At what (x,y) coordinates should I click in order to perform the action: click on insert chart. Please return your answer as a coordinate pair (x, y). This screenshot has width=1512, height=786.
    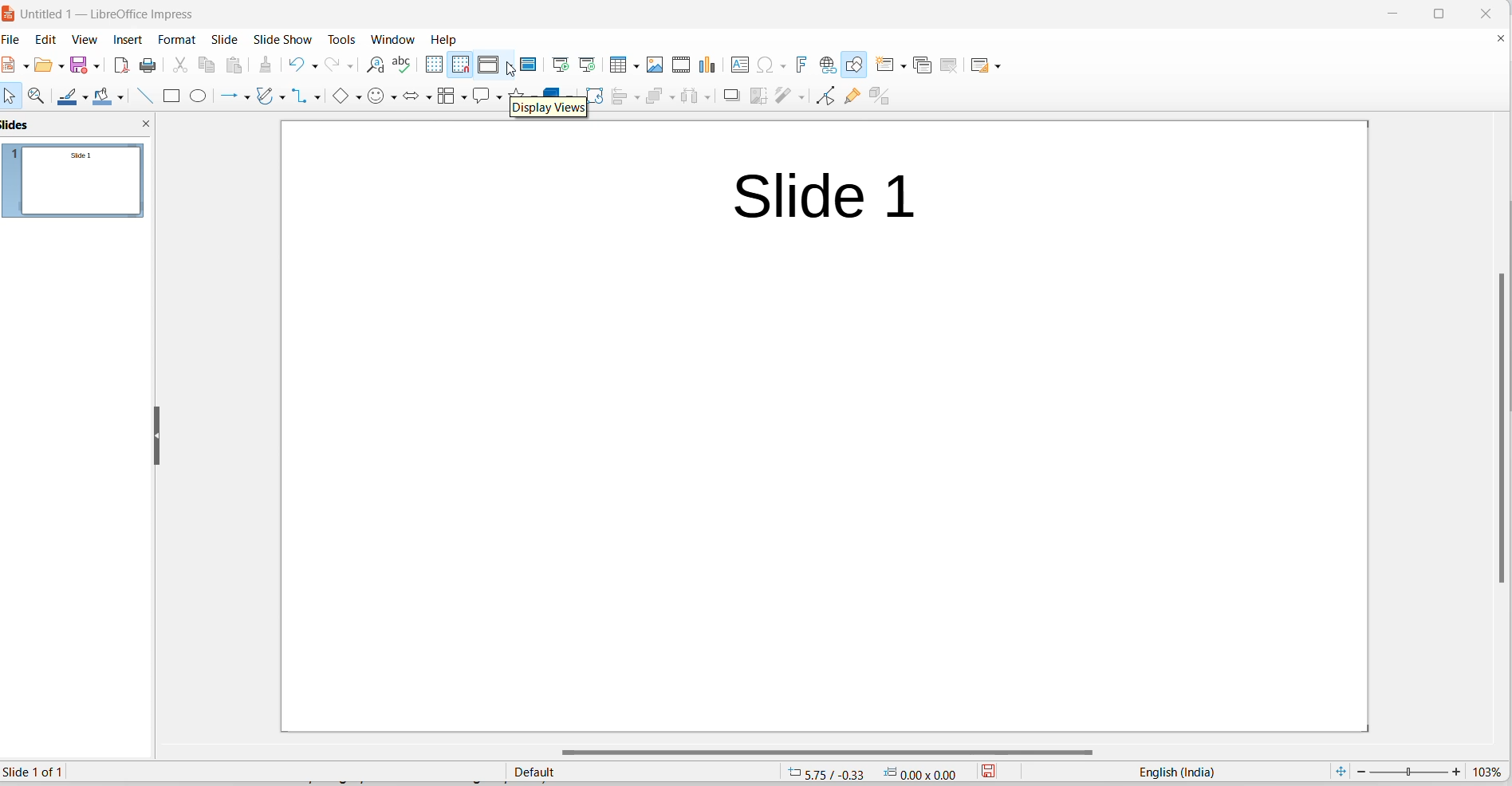
    Looking at the image, I should click on (711, 66).